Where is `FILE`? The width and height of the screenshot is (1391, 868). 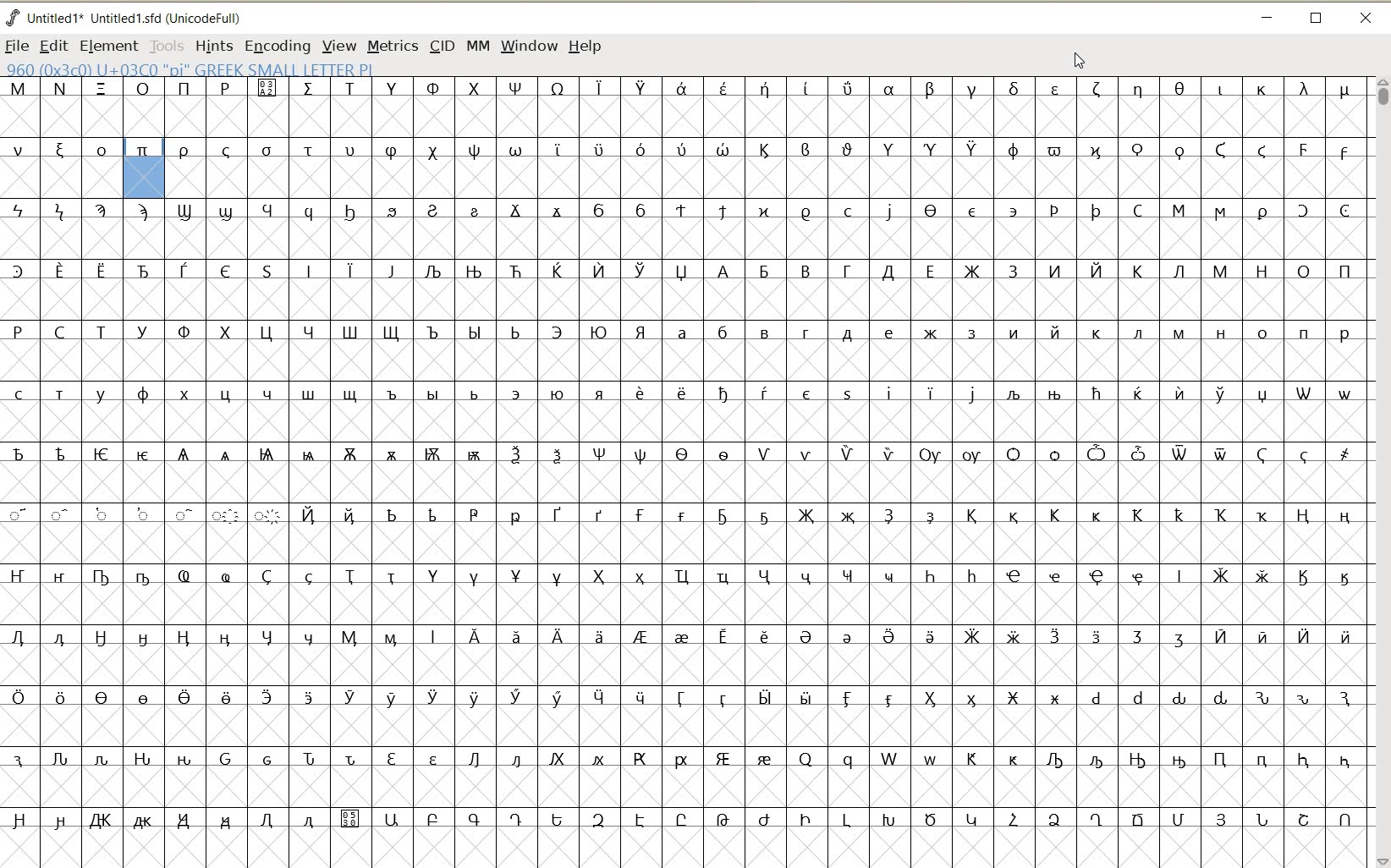 FILE is located at coordinates (16, 46).